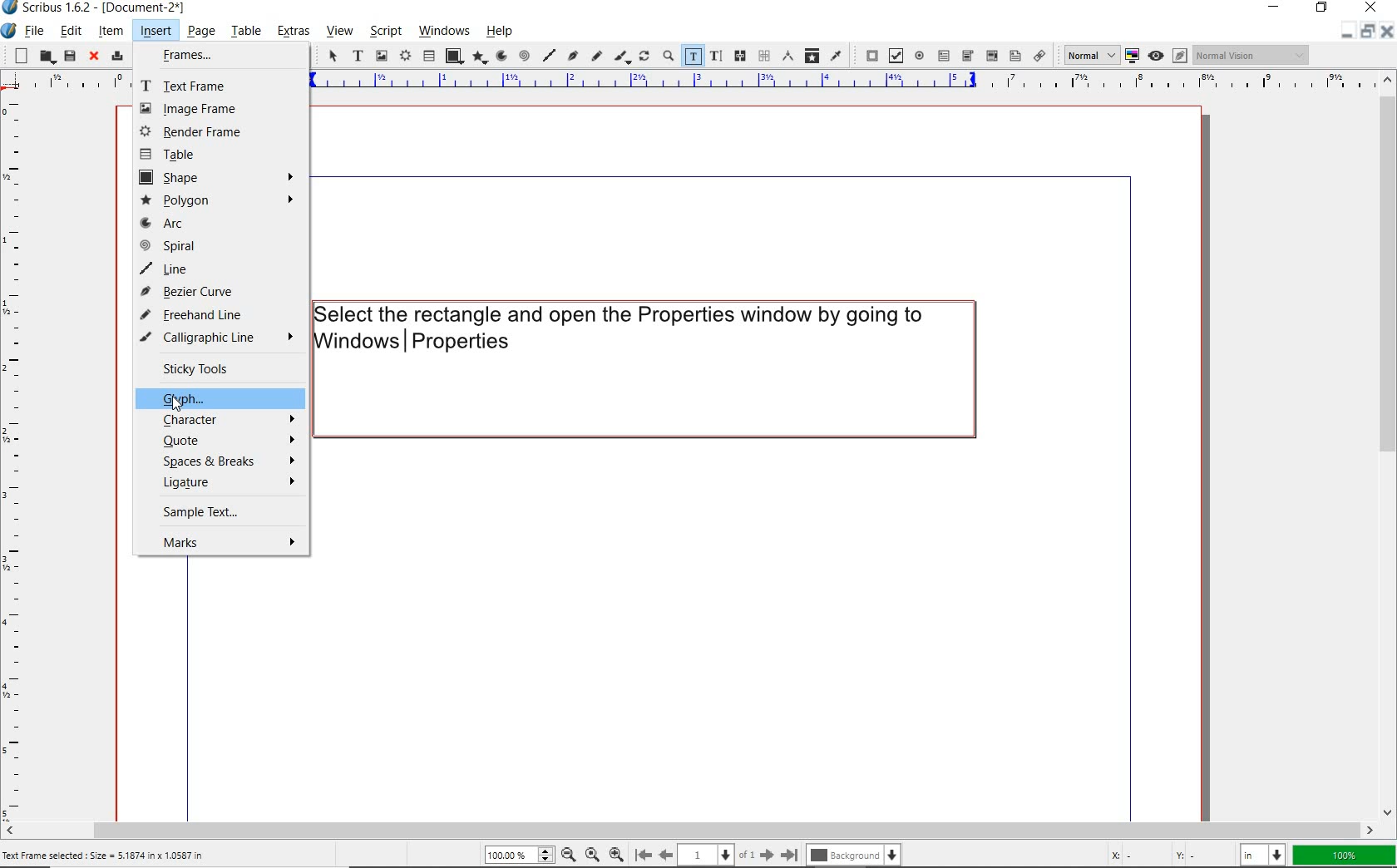 The image size is (1397, 868). Describe the element at coordinates (1040, 55) in the screenshot. I see `link annotation` at that location.